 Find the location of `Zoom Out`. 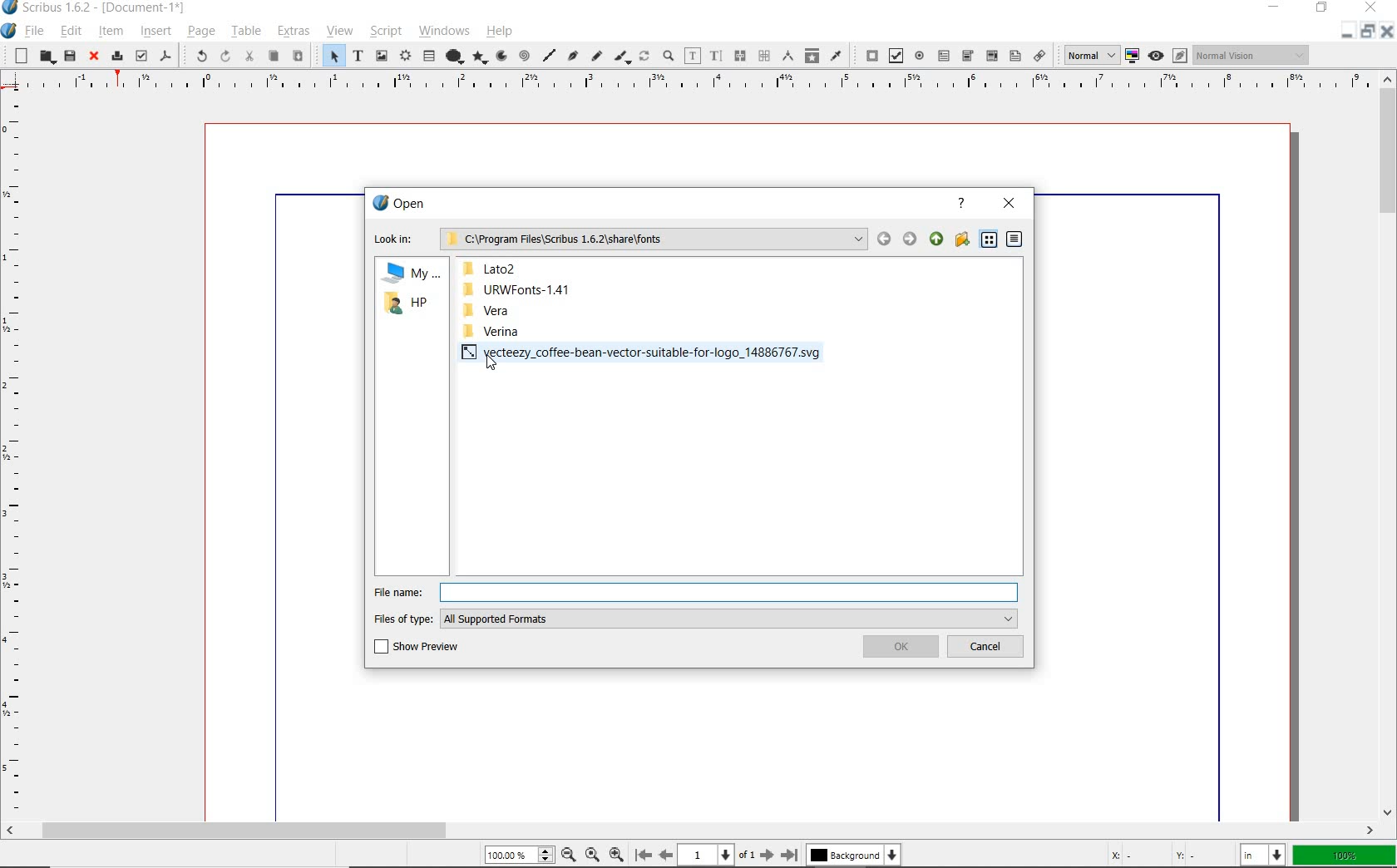

Zoom Out is located at coordinates (569, 855).